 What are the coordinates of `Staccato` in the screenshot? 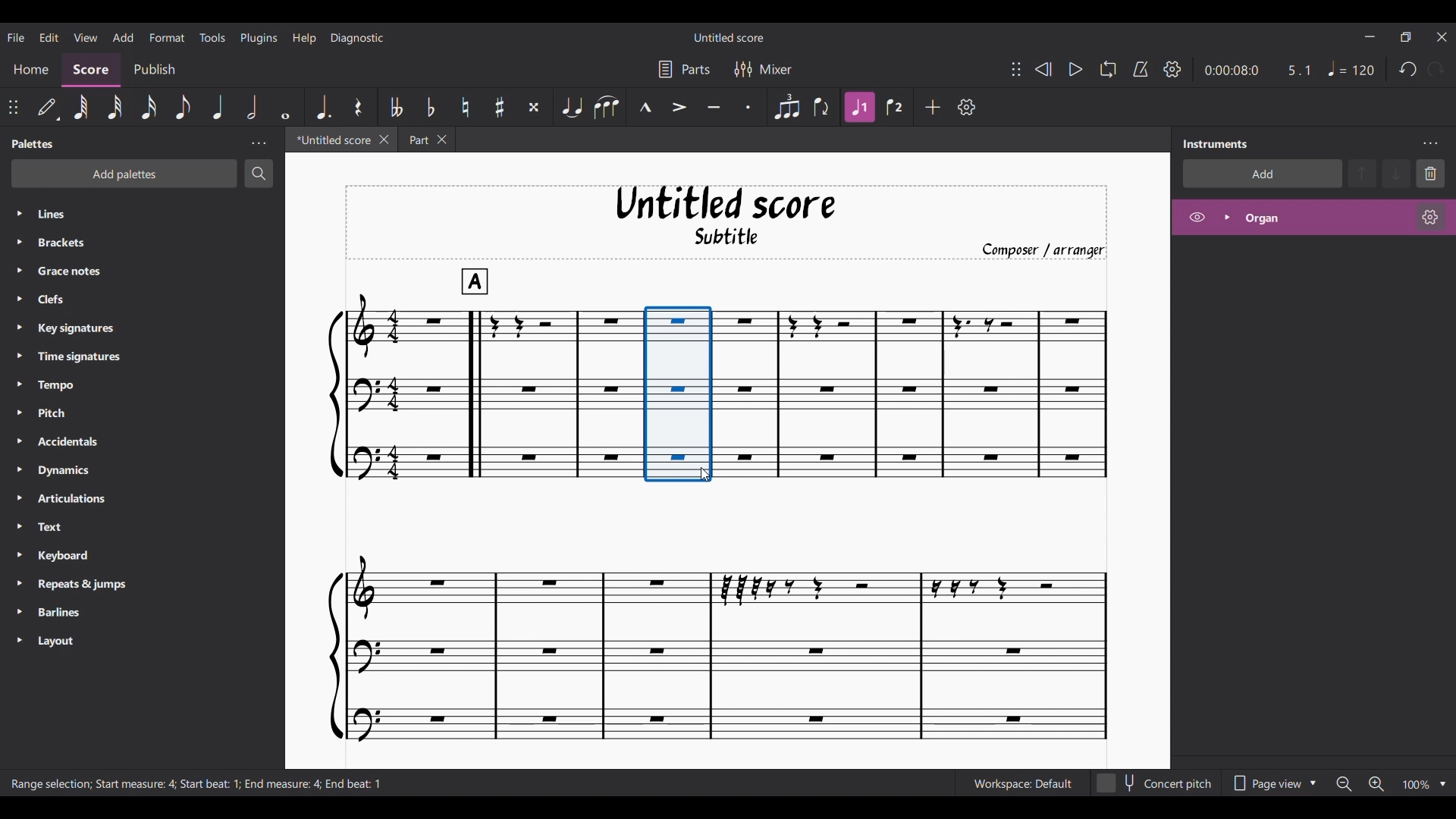 It's located at (748, 108).